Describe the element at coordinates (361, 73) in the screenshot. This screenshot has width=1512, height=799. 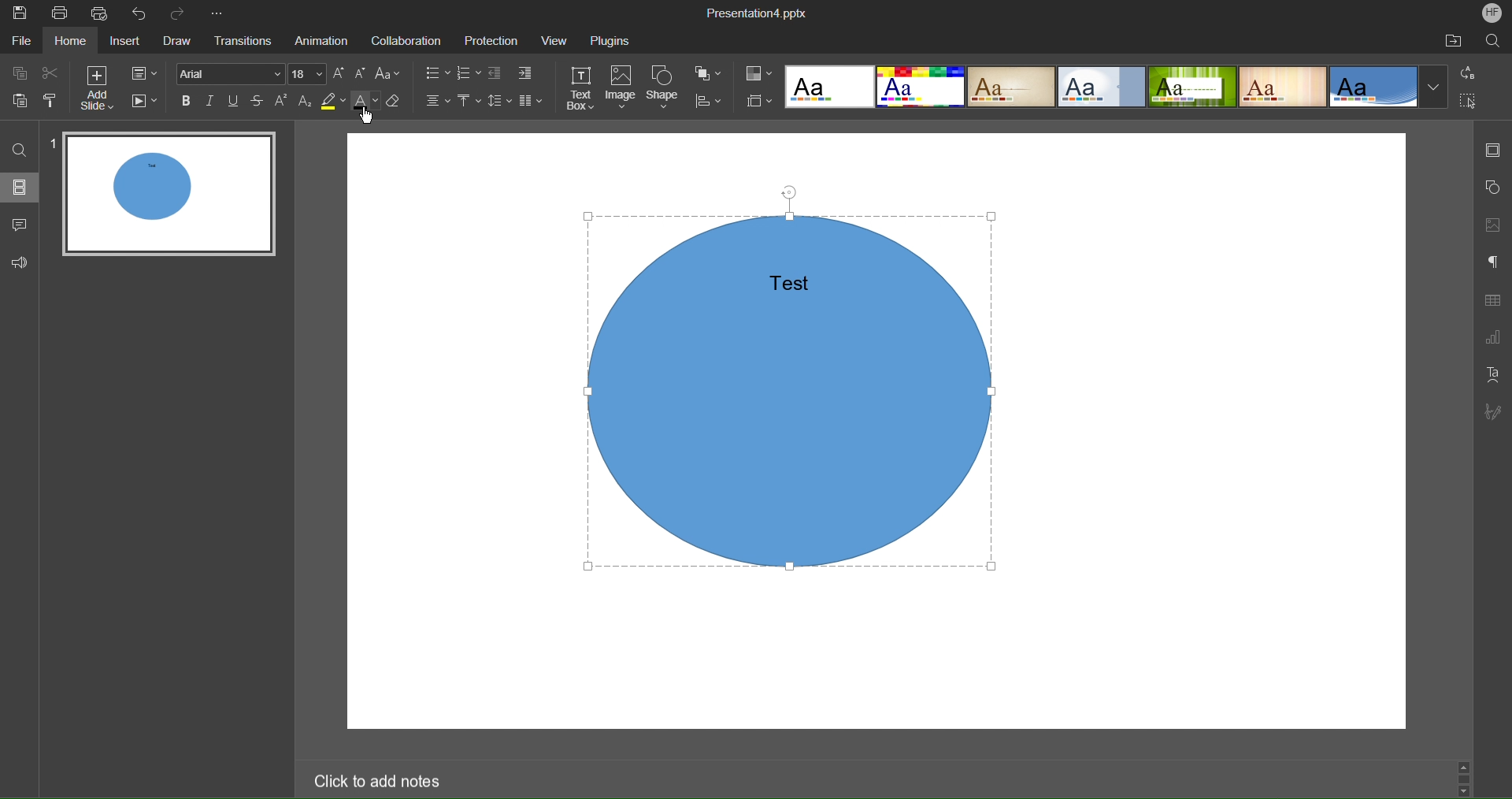
I see `Decrease size` at that location.